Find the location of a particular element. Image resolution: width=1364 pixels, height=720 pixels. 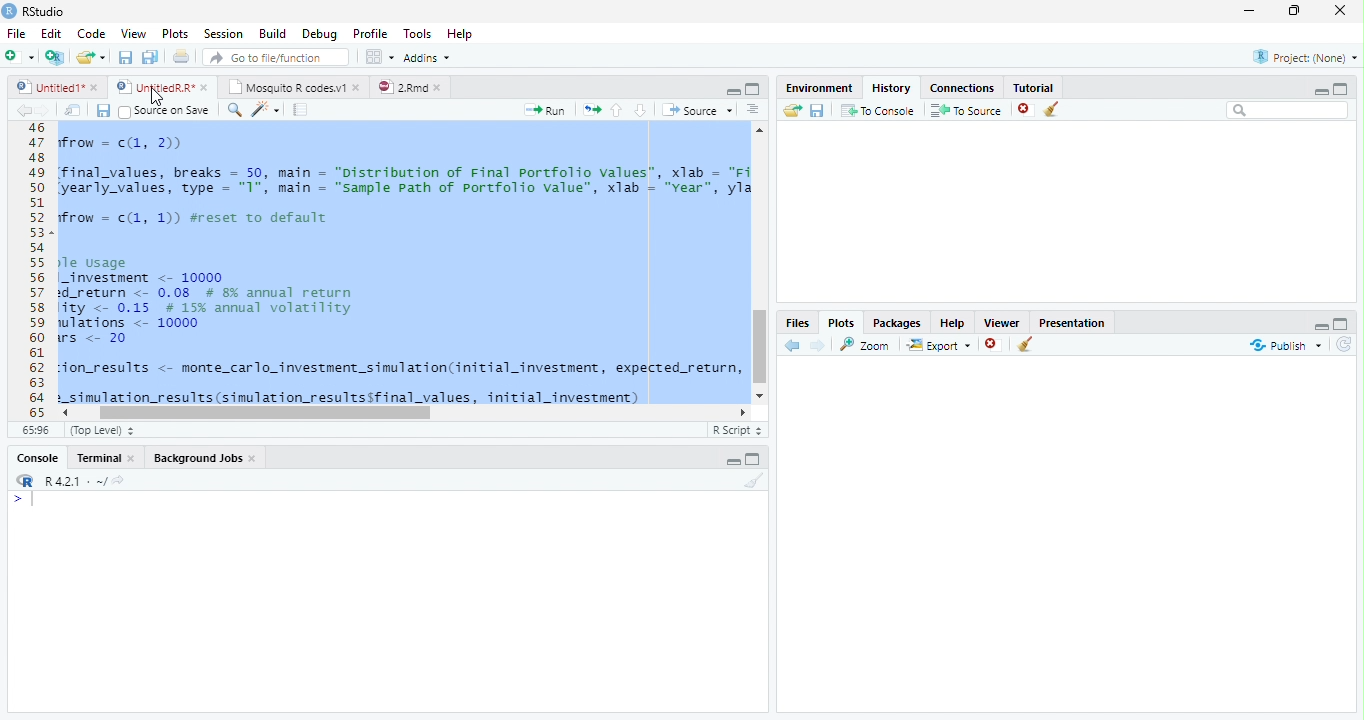

Presentation is located at coordinates (1072, 321).